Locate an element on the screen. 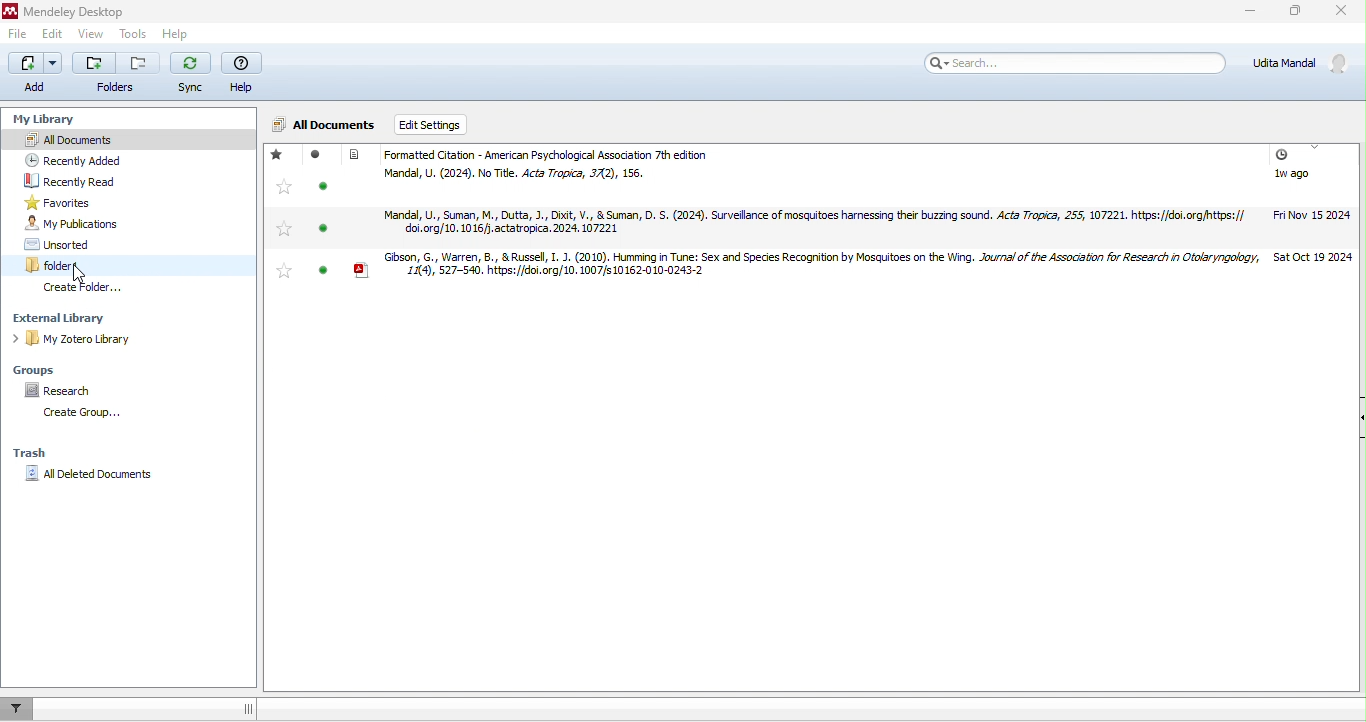 The width and height of the screenshot is (1366, 722). Favorite is located at coordinates (285, 187).